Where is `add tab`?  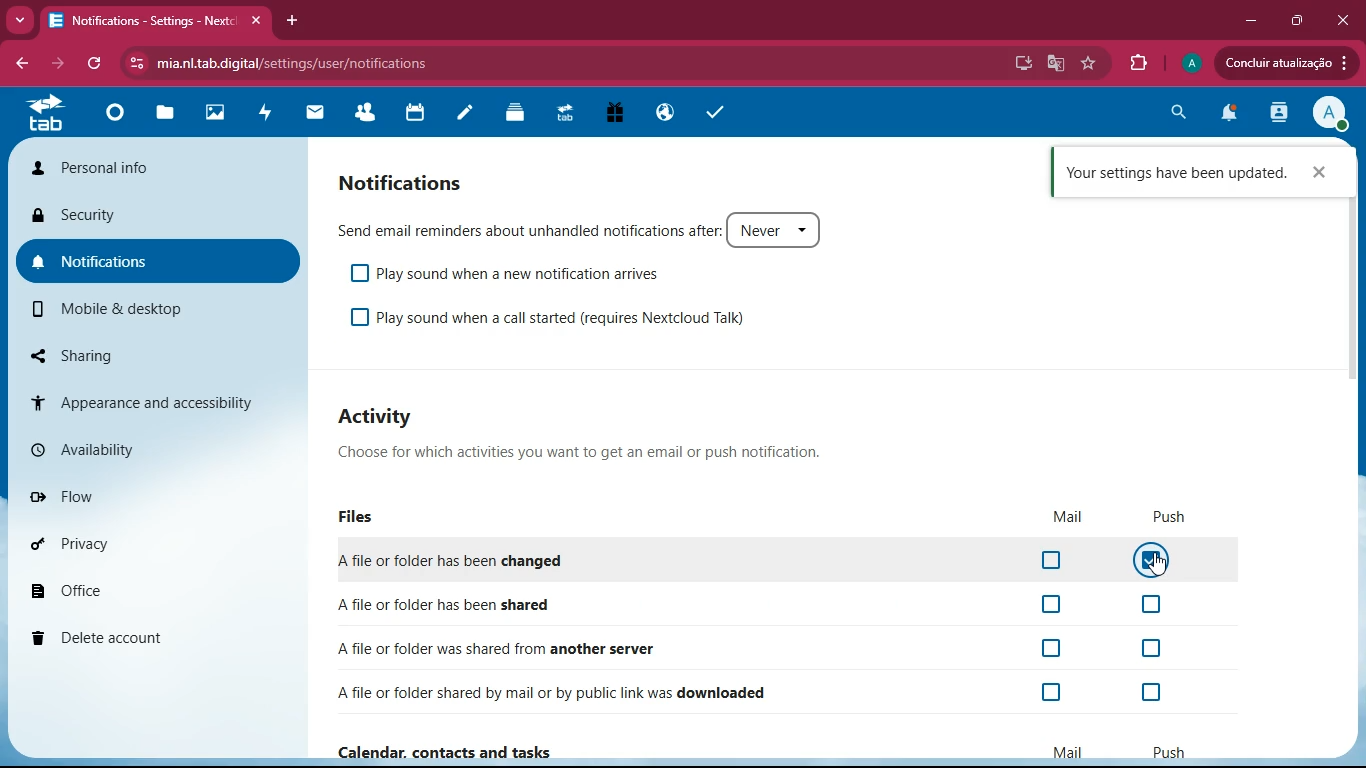 add tab is located at coordinates (292, 20).